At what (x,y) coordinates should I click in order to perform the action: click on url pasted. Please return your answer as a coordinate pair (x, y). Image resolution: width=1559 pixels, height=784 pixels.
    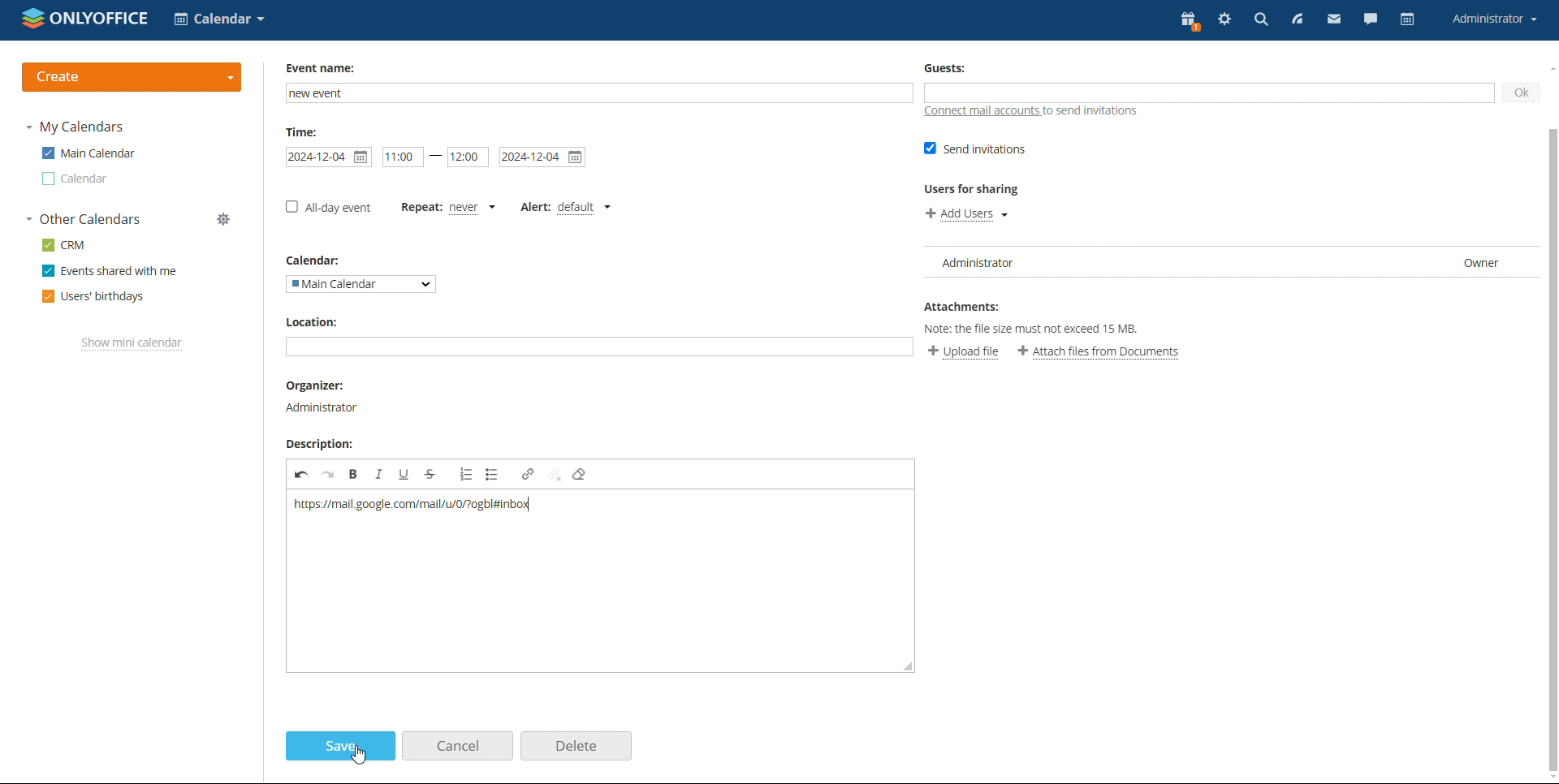
    Looking at the image, I should click on (412, 503).